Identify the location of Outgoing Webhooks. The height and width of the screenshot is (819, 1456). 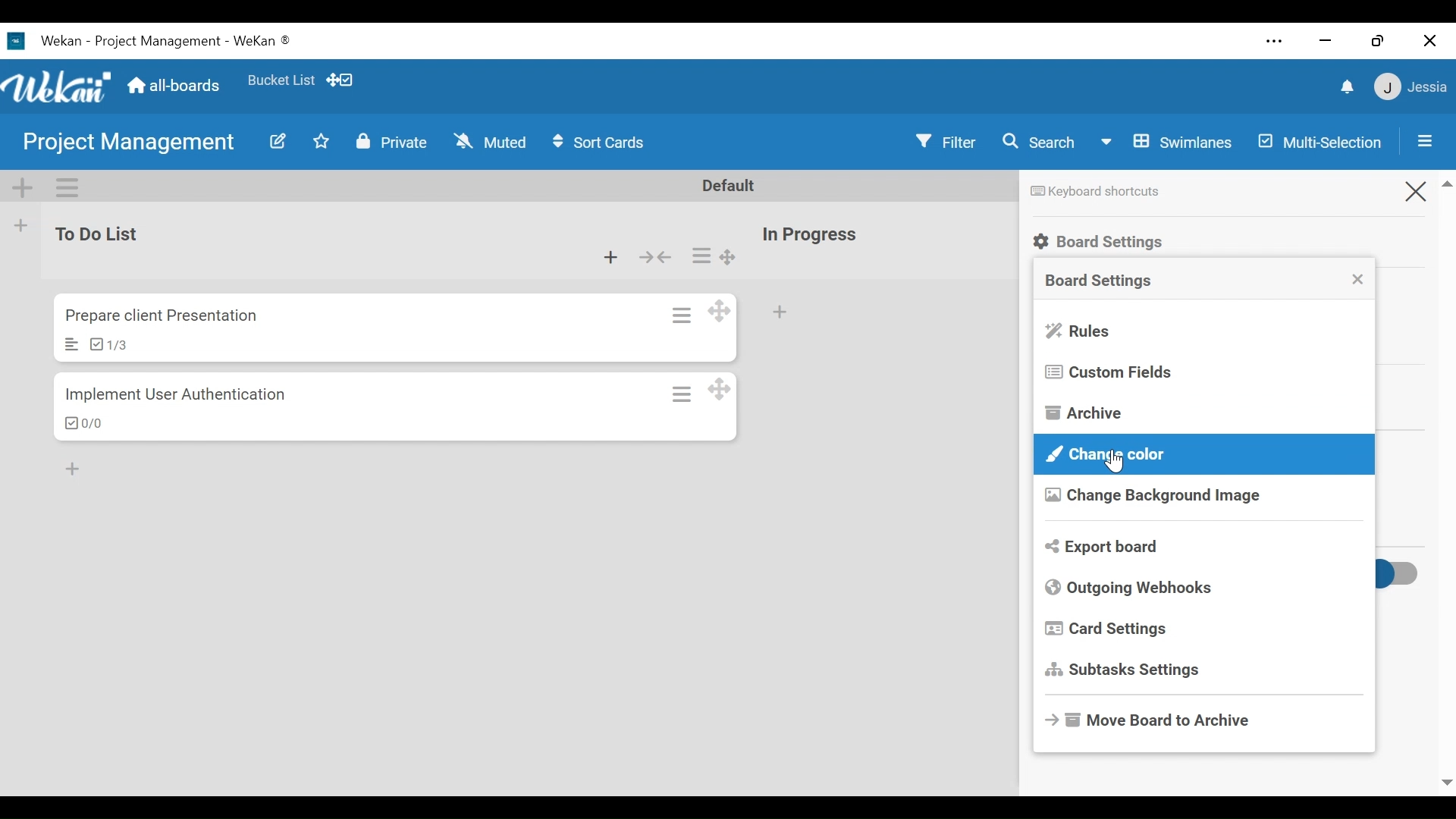
(1131, 588).